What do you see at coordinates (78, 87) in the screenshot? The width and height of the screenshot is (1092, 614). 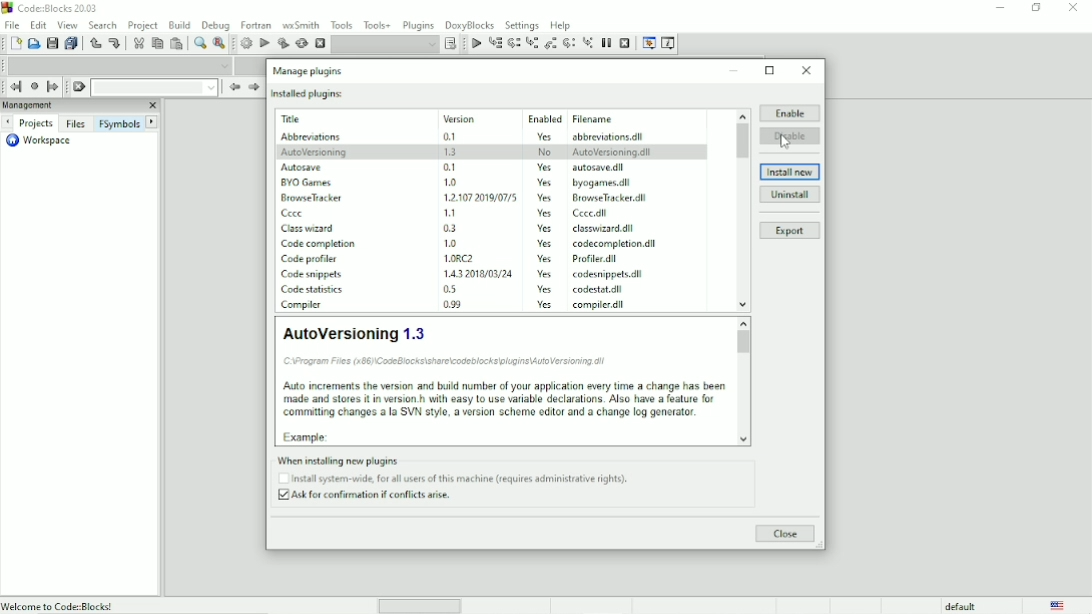 I see `Clear` at bounding box center [78, 87].